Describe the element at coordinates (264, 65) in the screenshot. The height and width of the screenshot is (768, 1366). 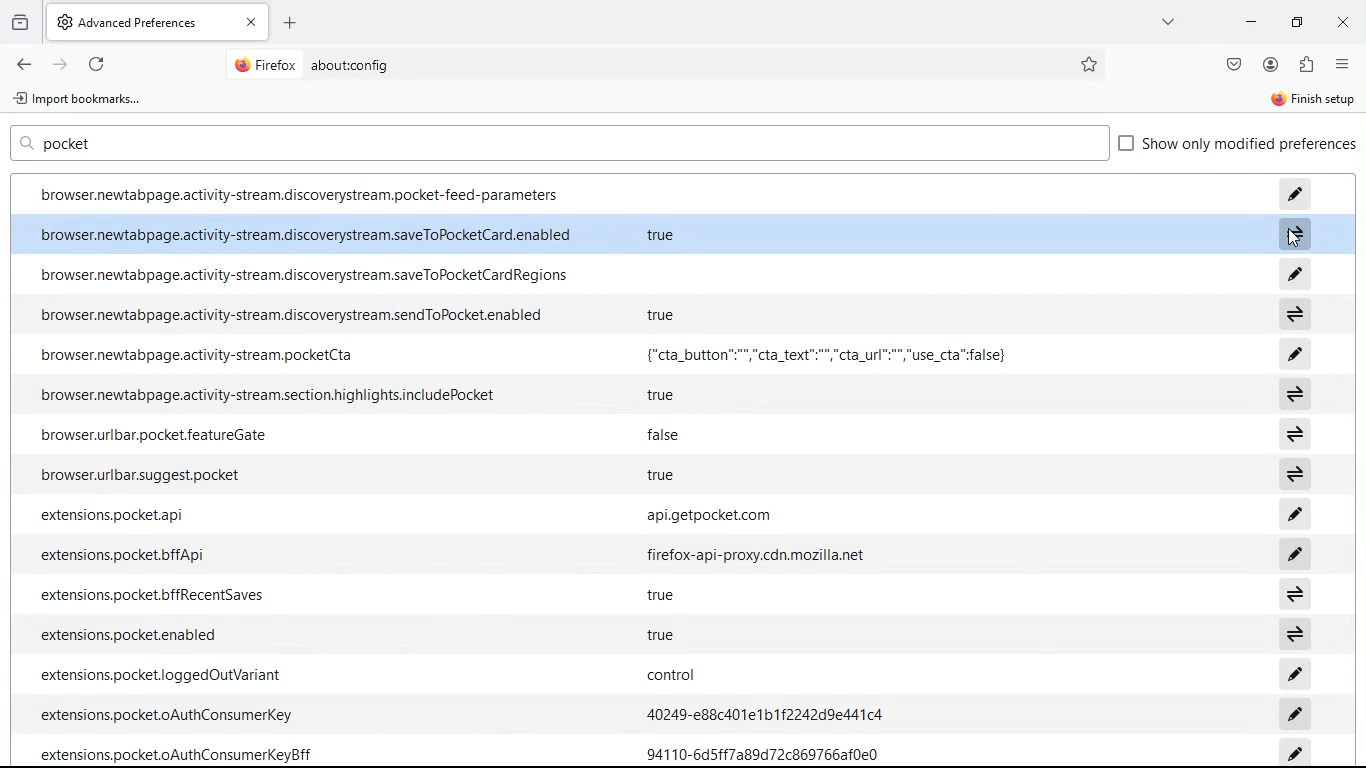
I see `@ Firefox` at that location.